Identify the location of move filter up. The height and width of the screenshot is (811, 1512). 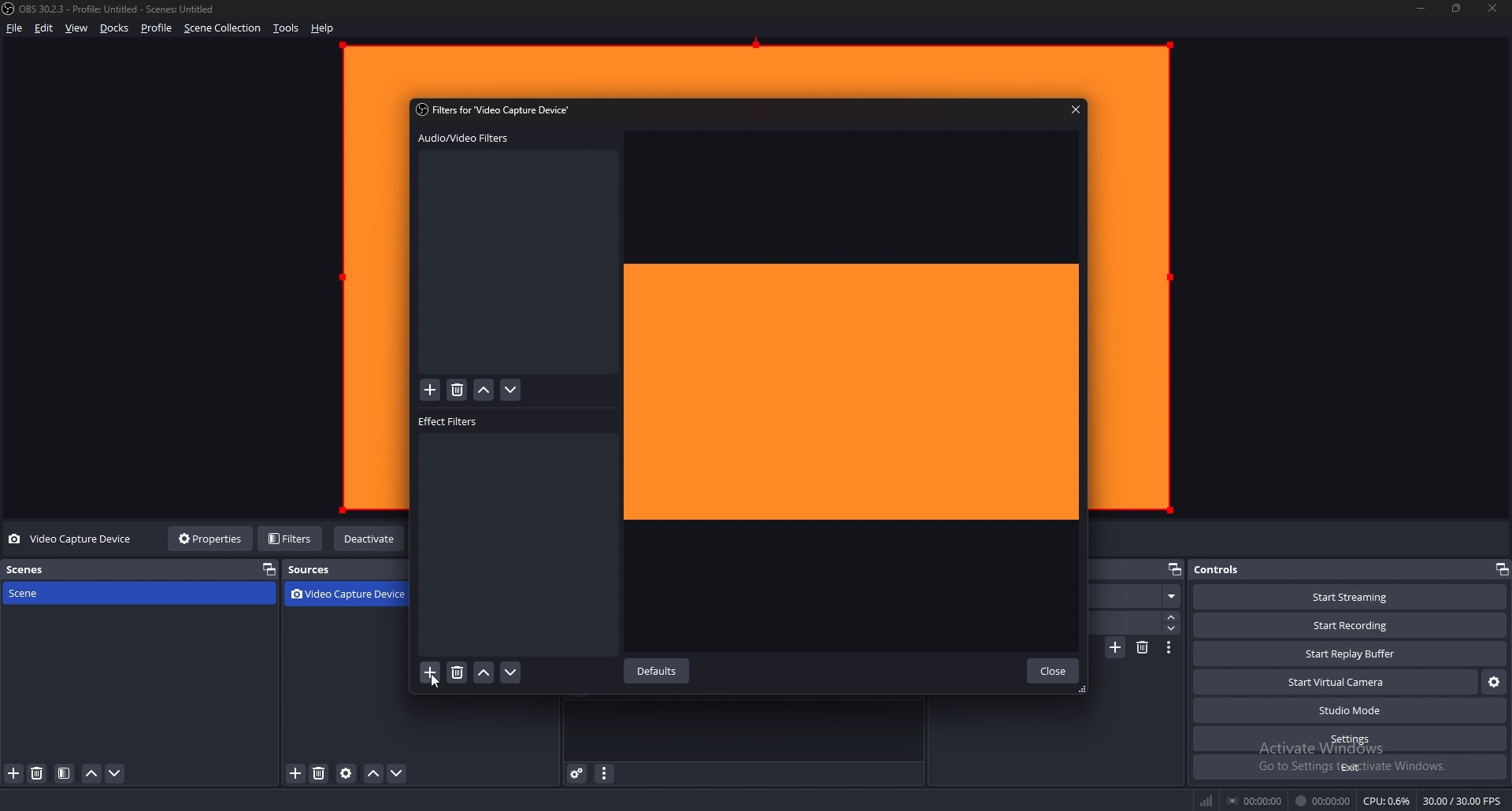
(484, 673).